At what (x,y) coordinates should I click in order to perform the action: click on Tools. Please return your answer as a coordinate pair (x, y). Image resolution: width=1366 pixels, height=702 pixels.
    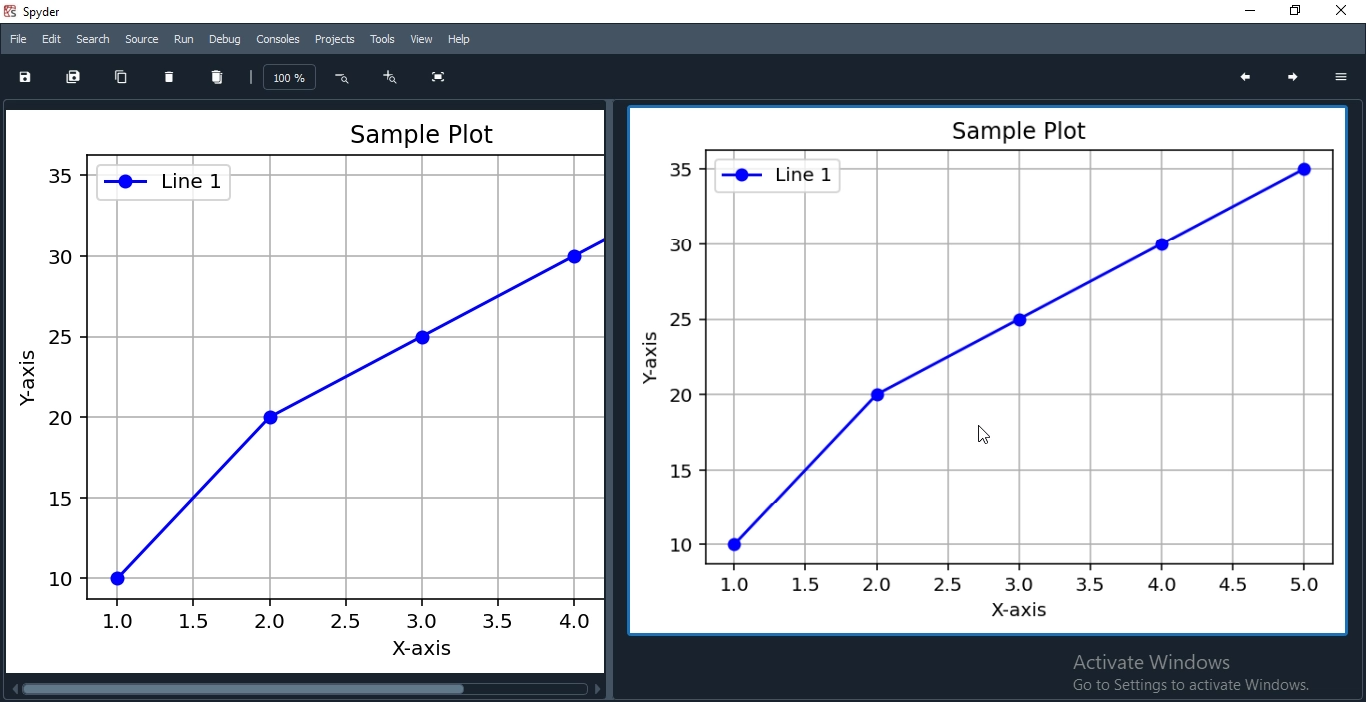
    Looking at the image, I should click on (382, 39).